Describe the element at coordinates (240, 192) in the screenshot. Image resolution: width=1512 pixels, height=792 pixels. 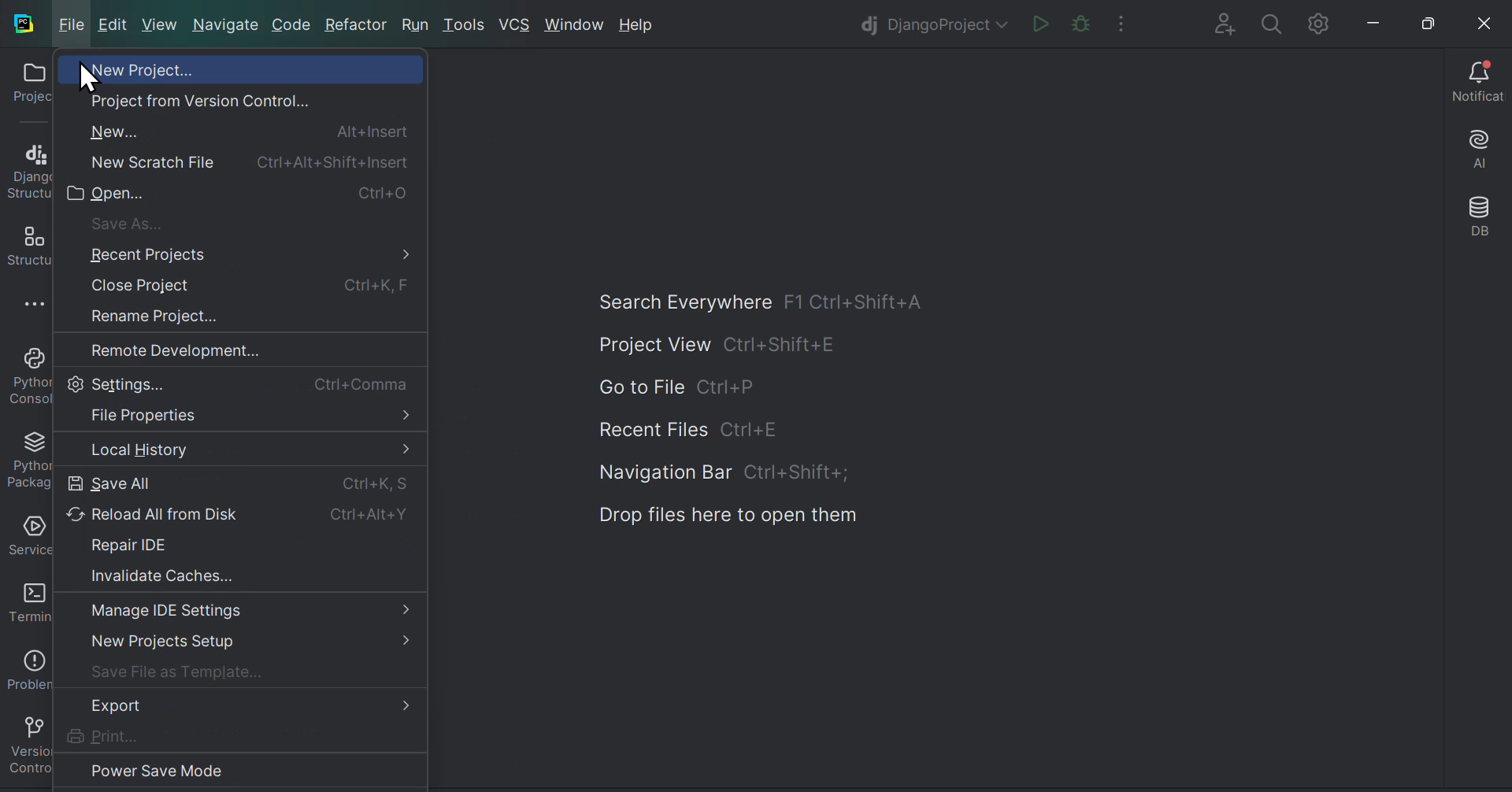
I see `open file` at that location.